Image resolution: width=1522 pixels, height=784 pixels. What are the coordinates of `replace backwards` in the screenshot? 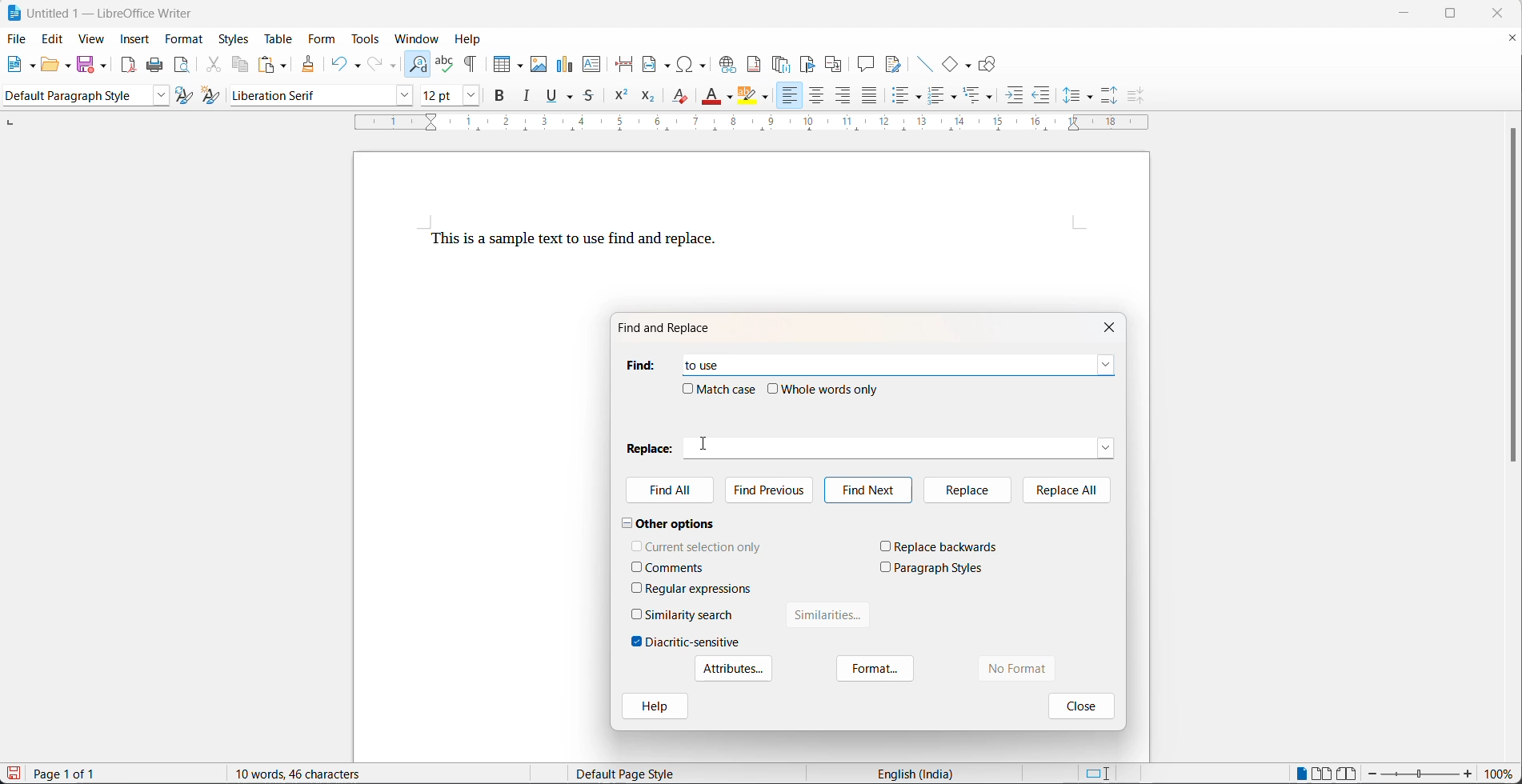 It's located at (947, 546).